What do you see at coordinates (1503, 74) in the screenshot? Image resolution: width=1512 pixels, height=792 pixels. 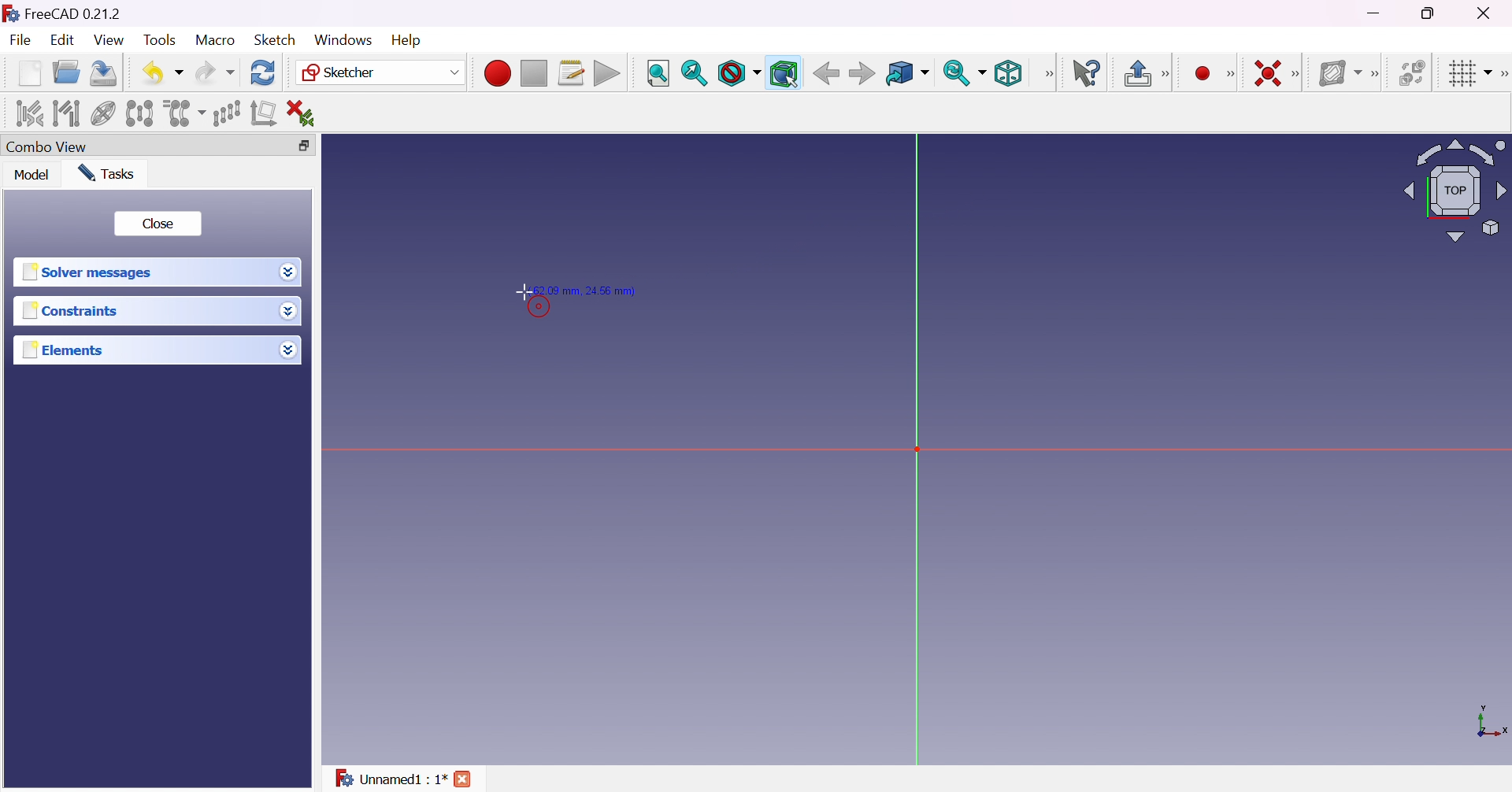 I see `Sketcher edit tools` at bounding box center [1503, 74].